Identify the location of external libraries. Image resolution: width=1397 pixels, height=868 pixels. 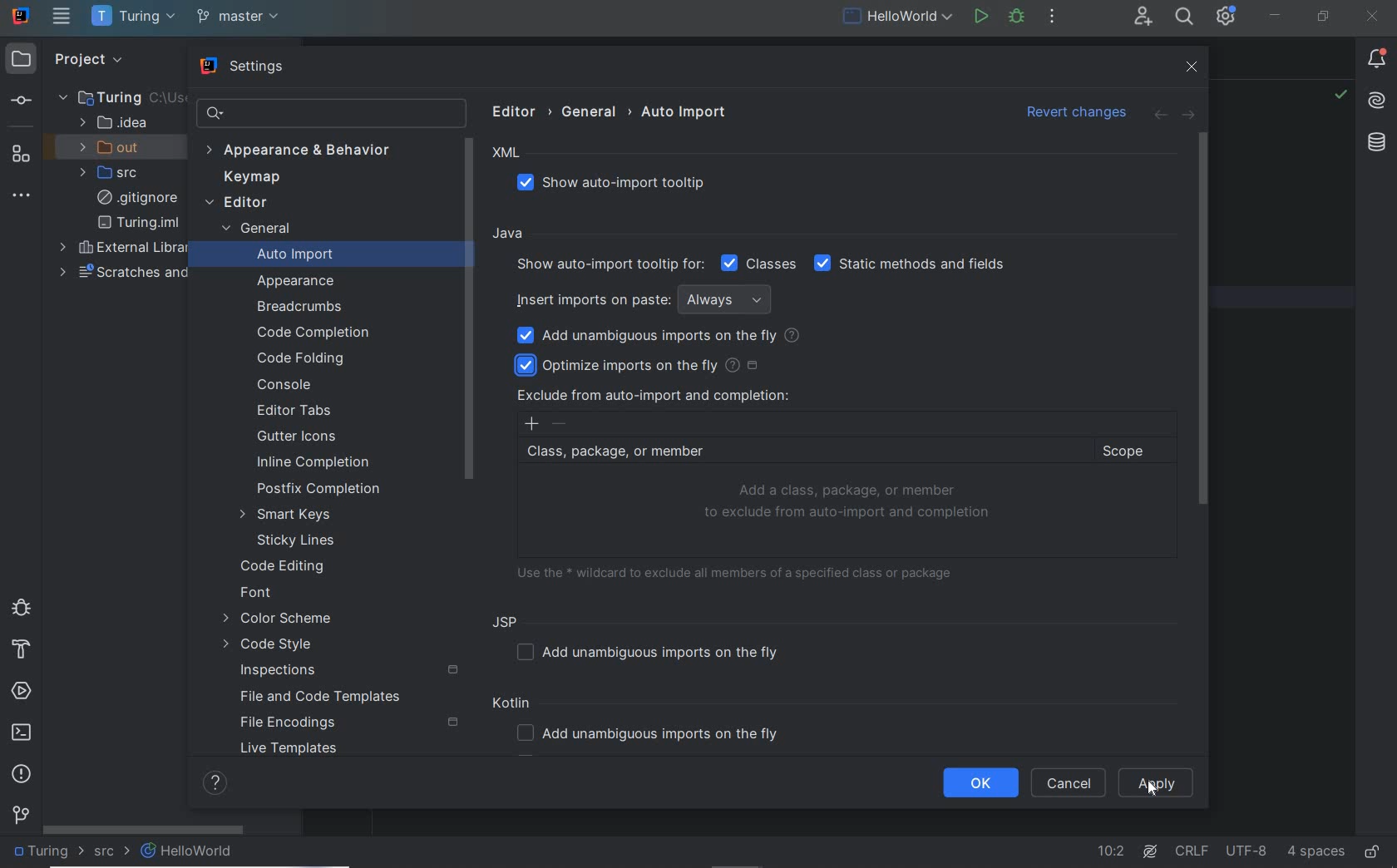
(126, 249).